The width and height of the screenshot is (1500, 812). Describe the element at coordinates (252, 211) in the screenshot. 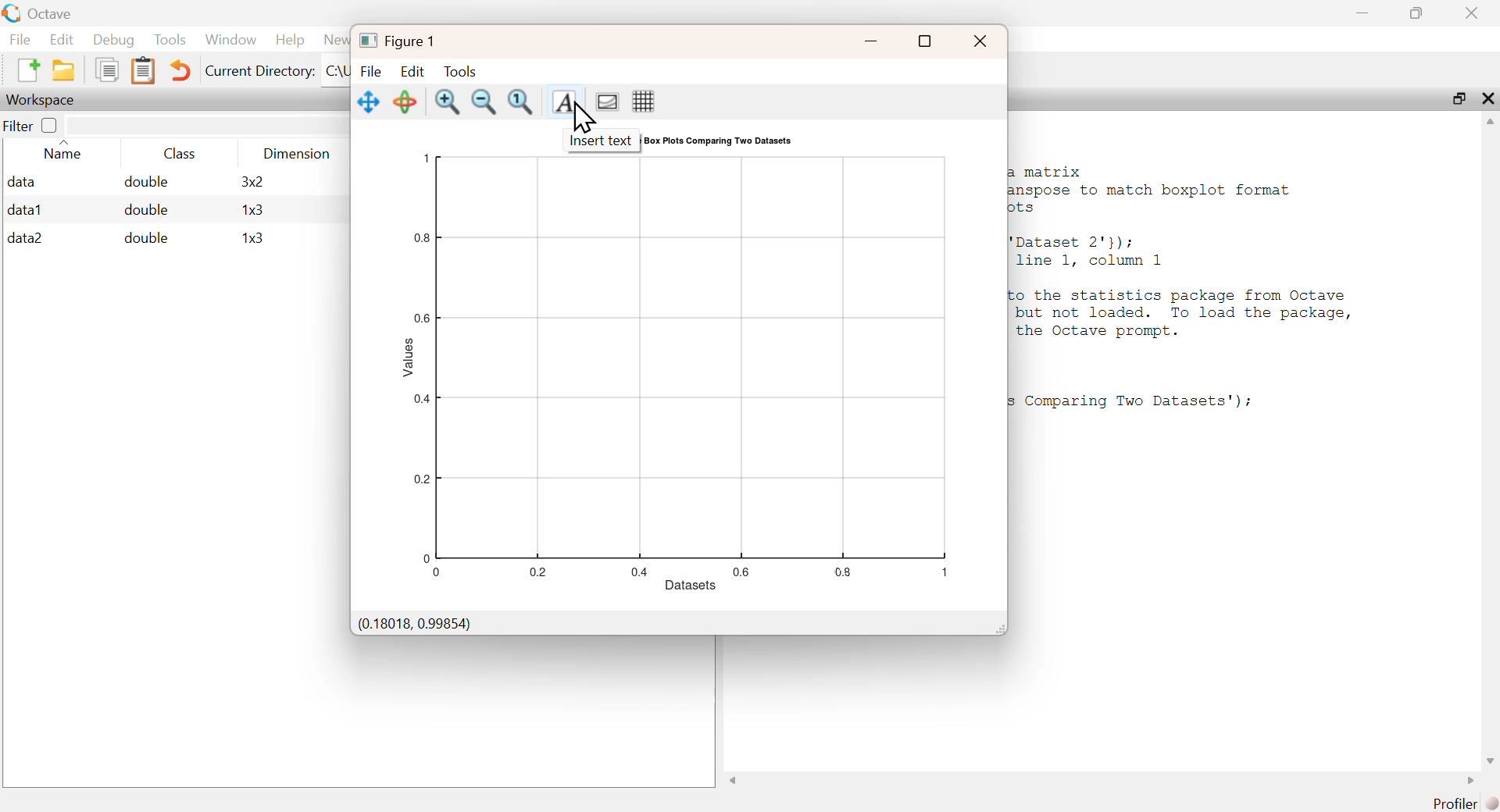

I see `1x3` at that location.